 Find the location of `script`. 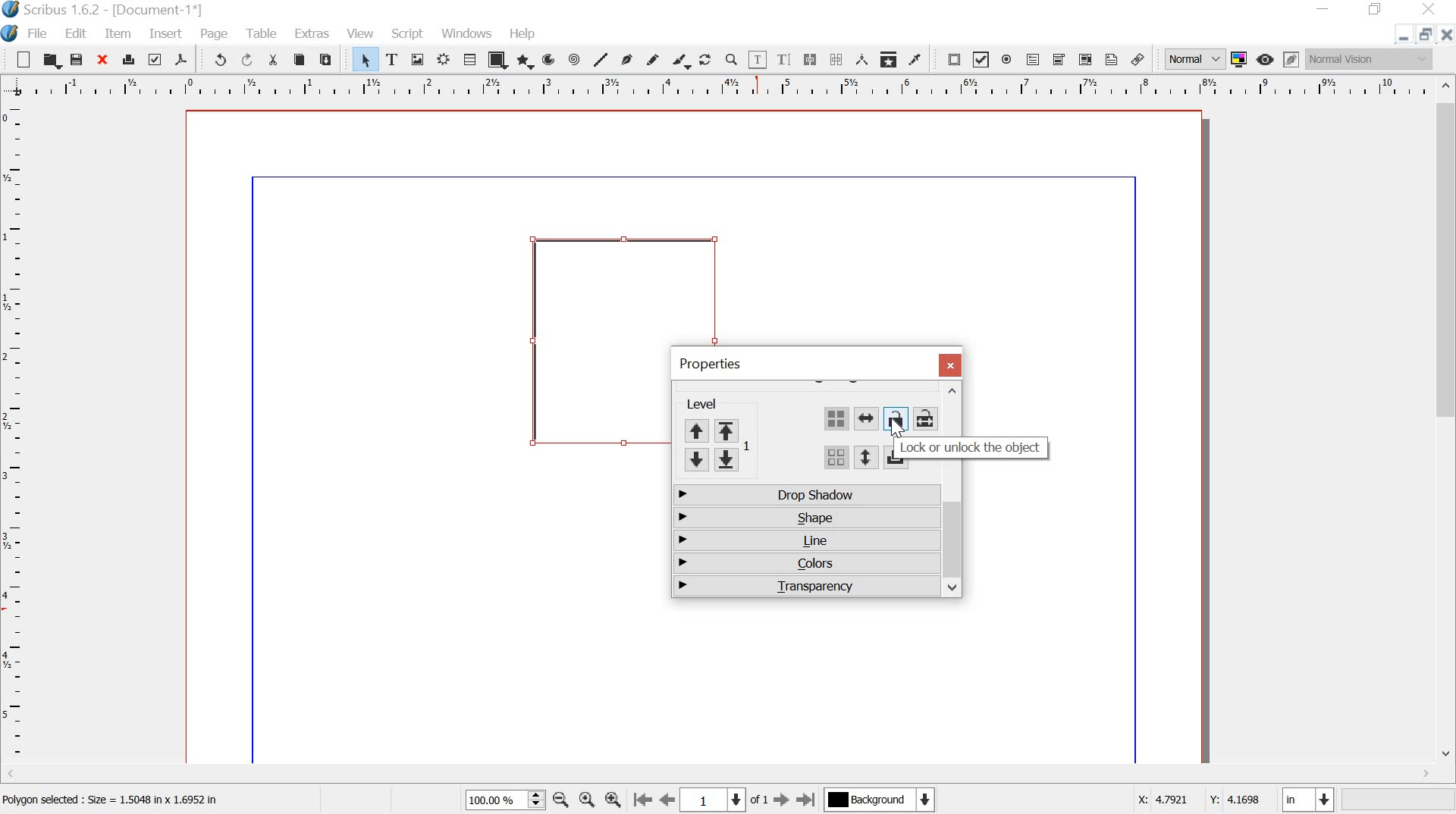

script is located at coordinates (406, 33).